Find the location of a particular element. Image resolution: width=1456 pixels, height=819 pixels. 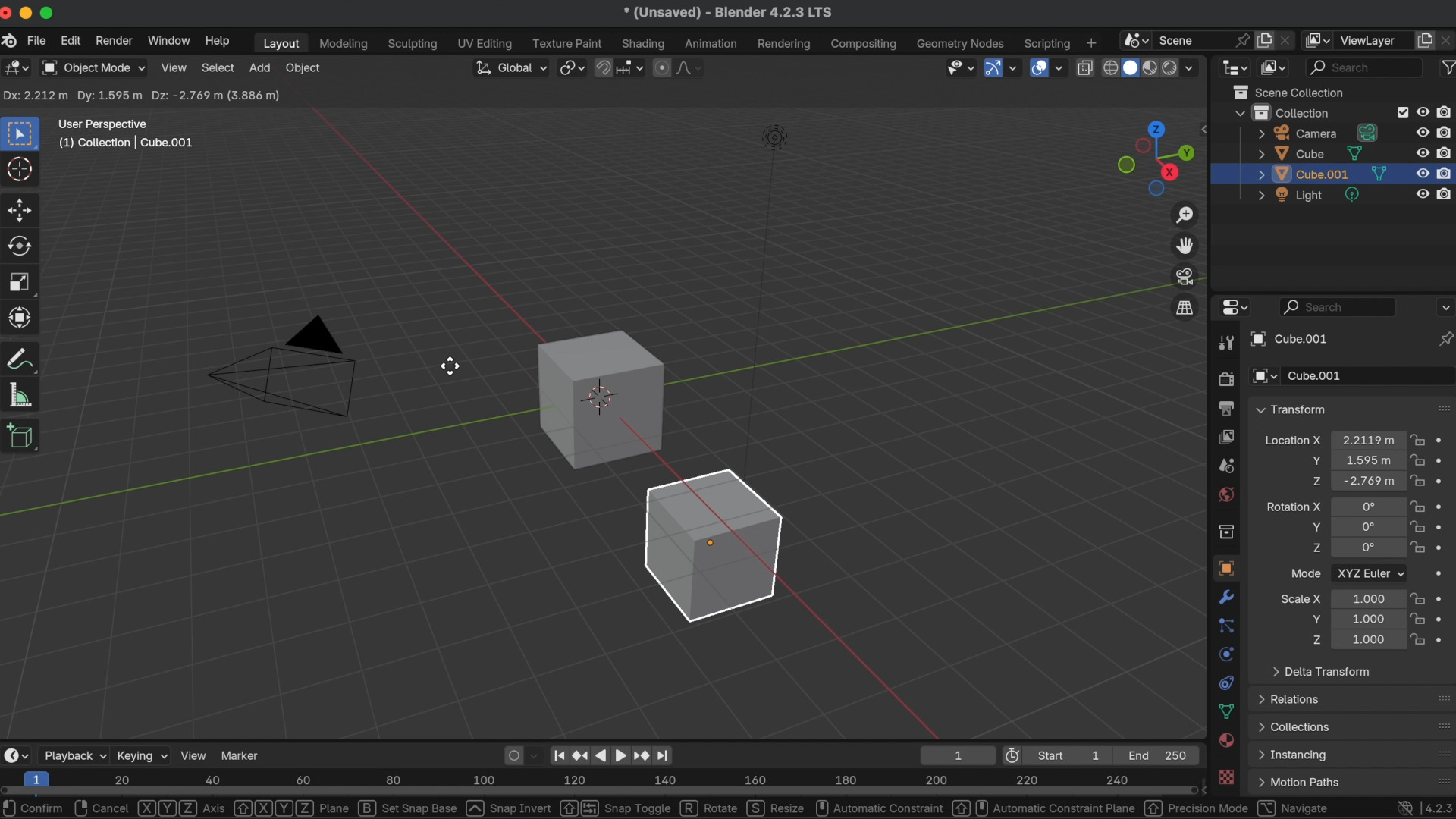

hide in viewport is located at coordinates (1423, 110).